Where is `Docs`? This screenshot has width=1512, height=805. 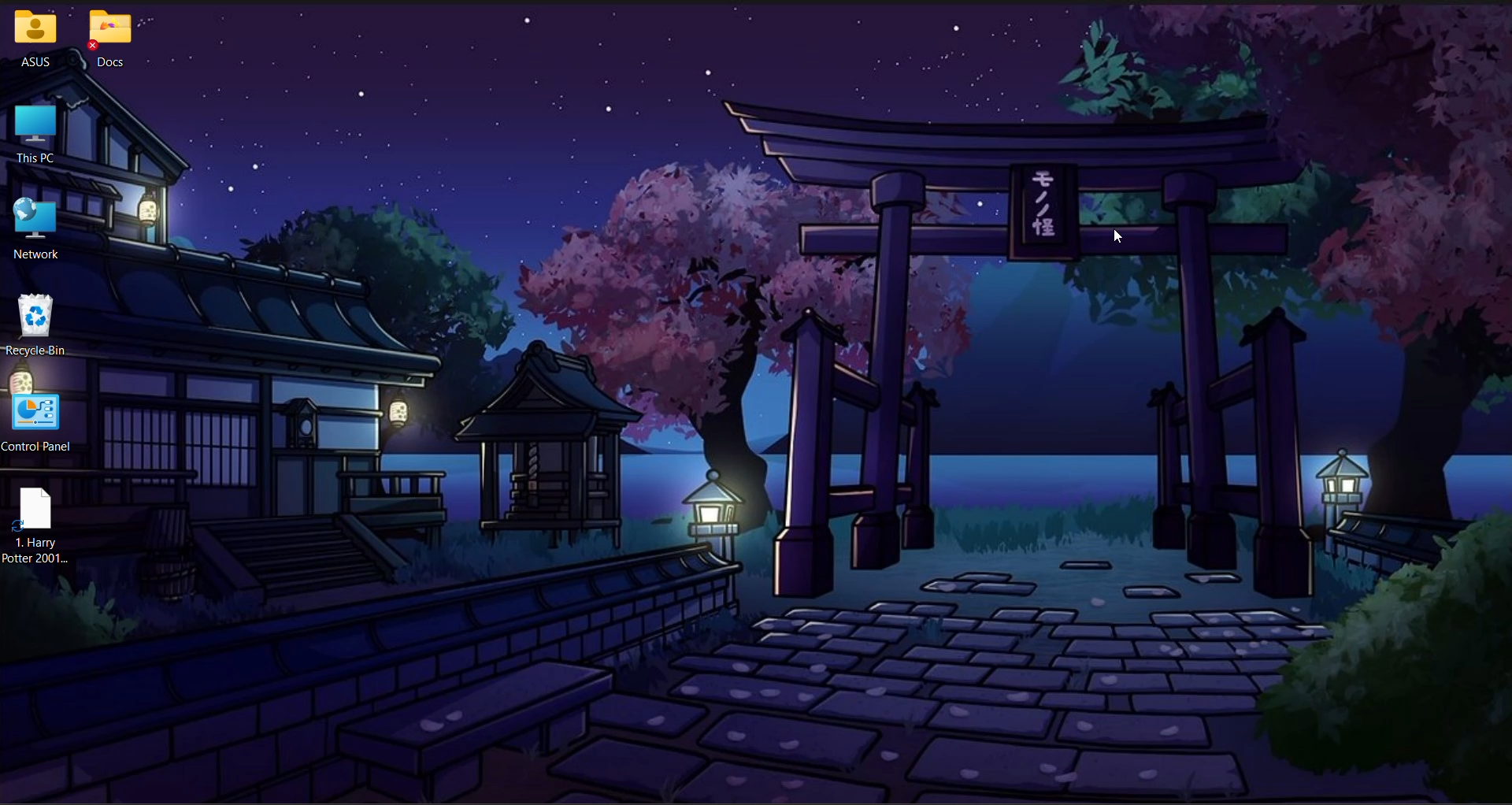 Docs is located at coordinates (109, 39).